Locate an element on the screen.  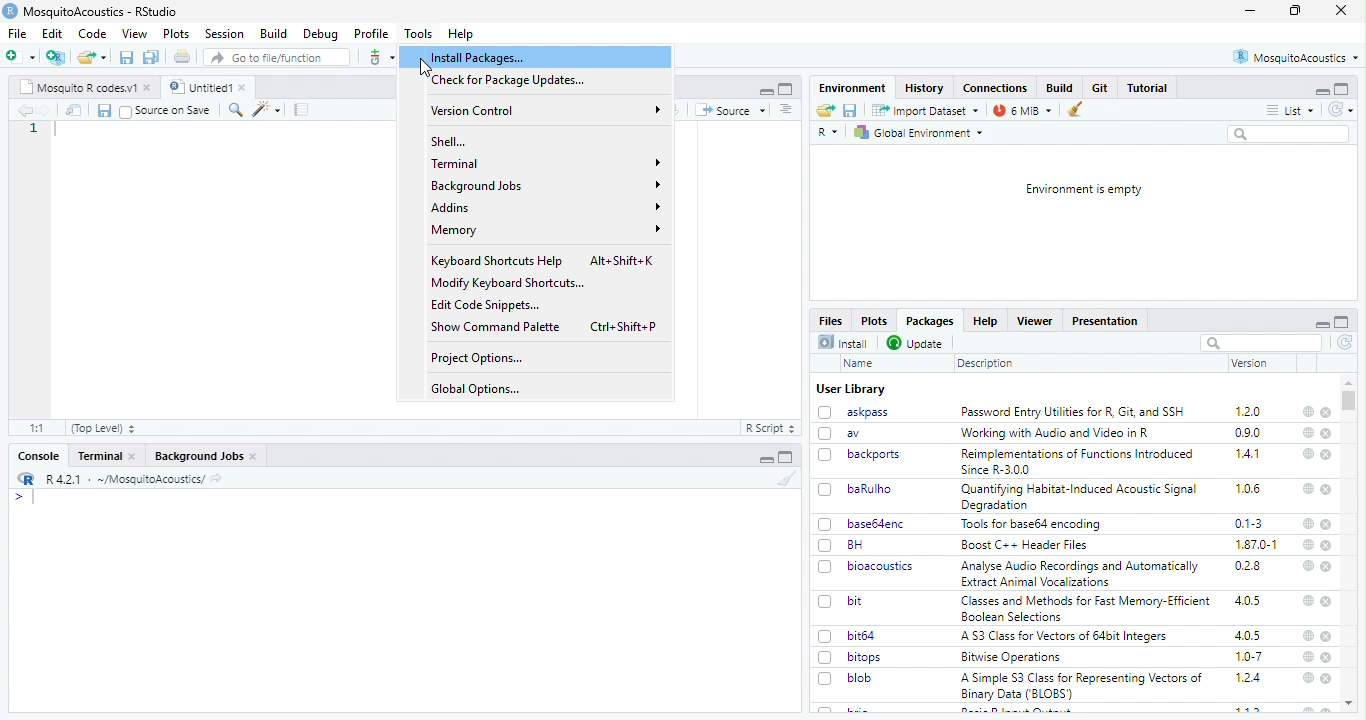
Debug is located at coordinates (322, 35).